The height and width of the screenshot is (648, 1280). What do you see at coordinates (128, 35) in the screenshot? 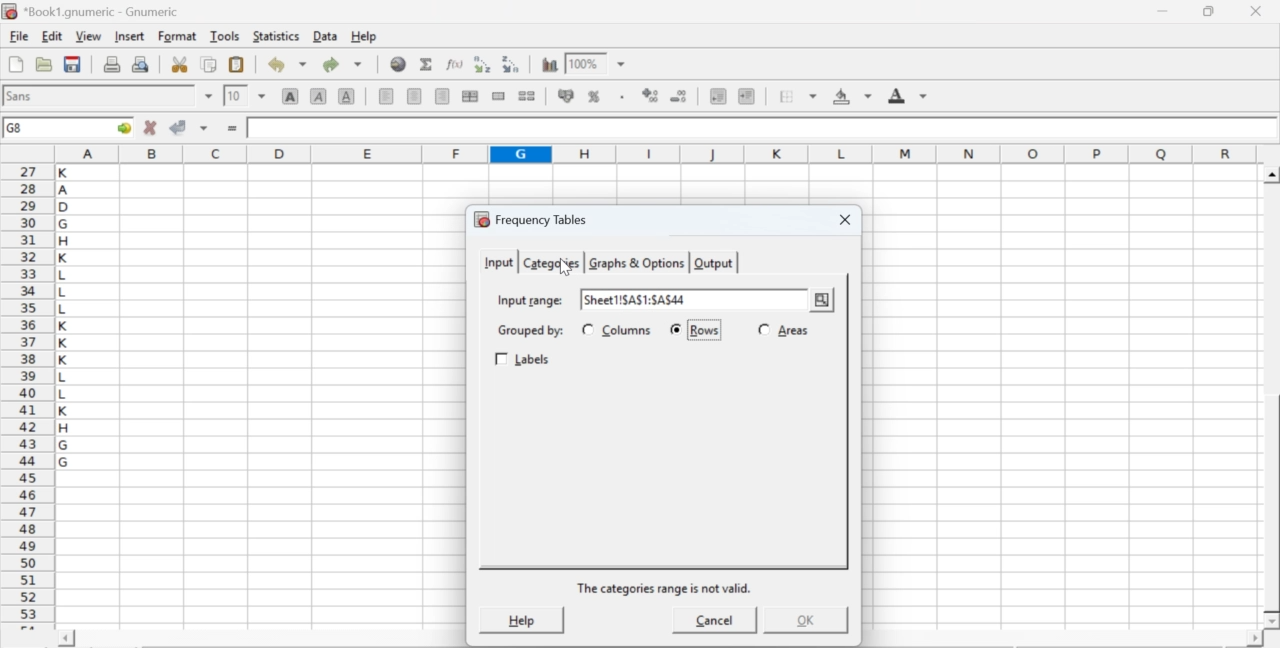
I see `insert` at bounding box center [128, 35].